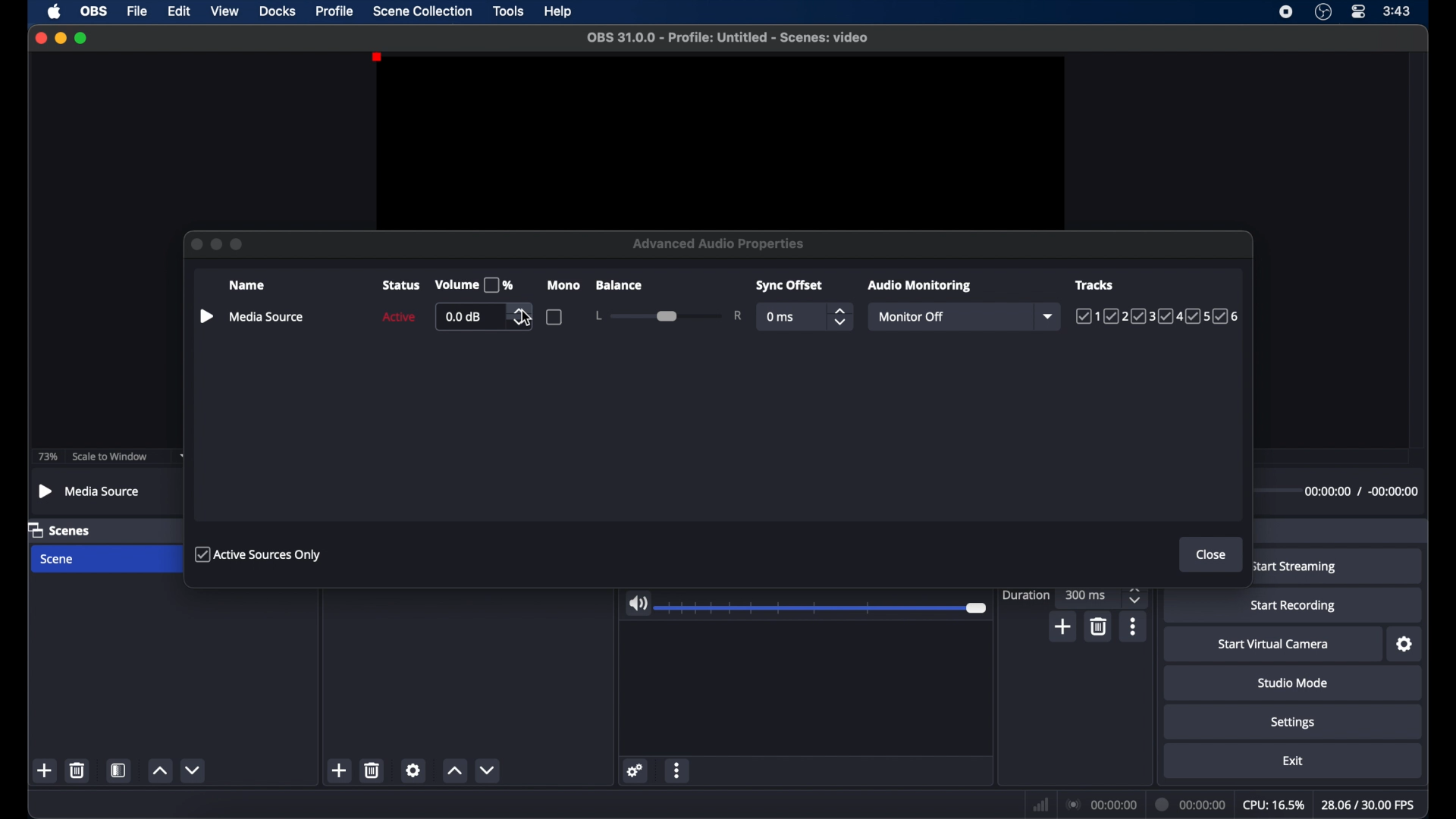  I want to click on 300 ms, so click(1087, 594).